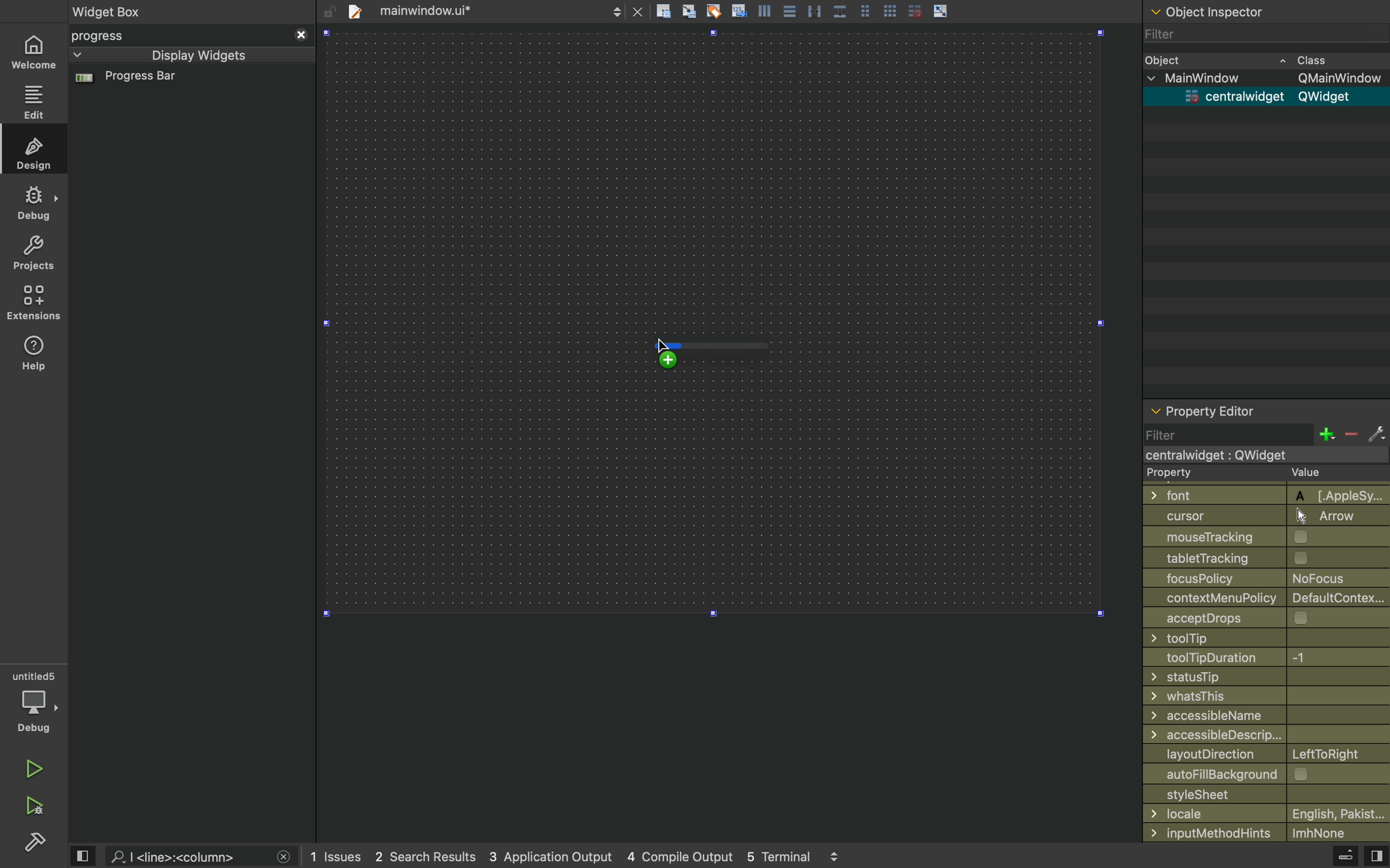 This screenshot has width=1390, height=868. What do you see at coordinates (1257, 577) in the screenshot?
I see `focuspolicy` at bounding box center [1257, 577].